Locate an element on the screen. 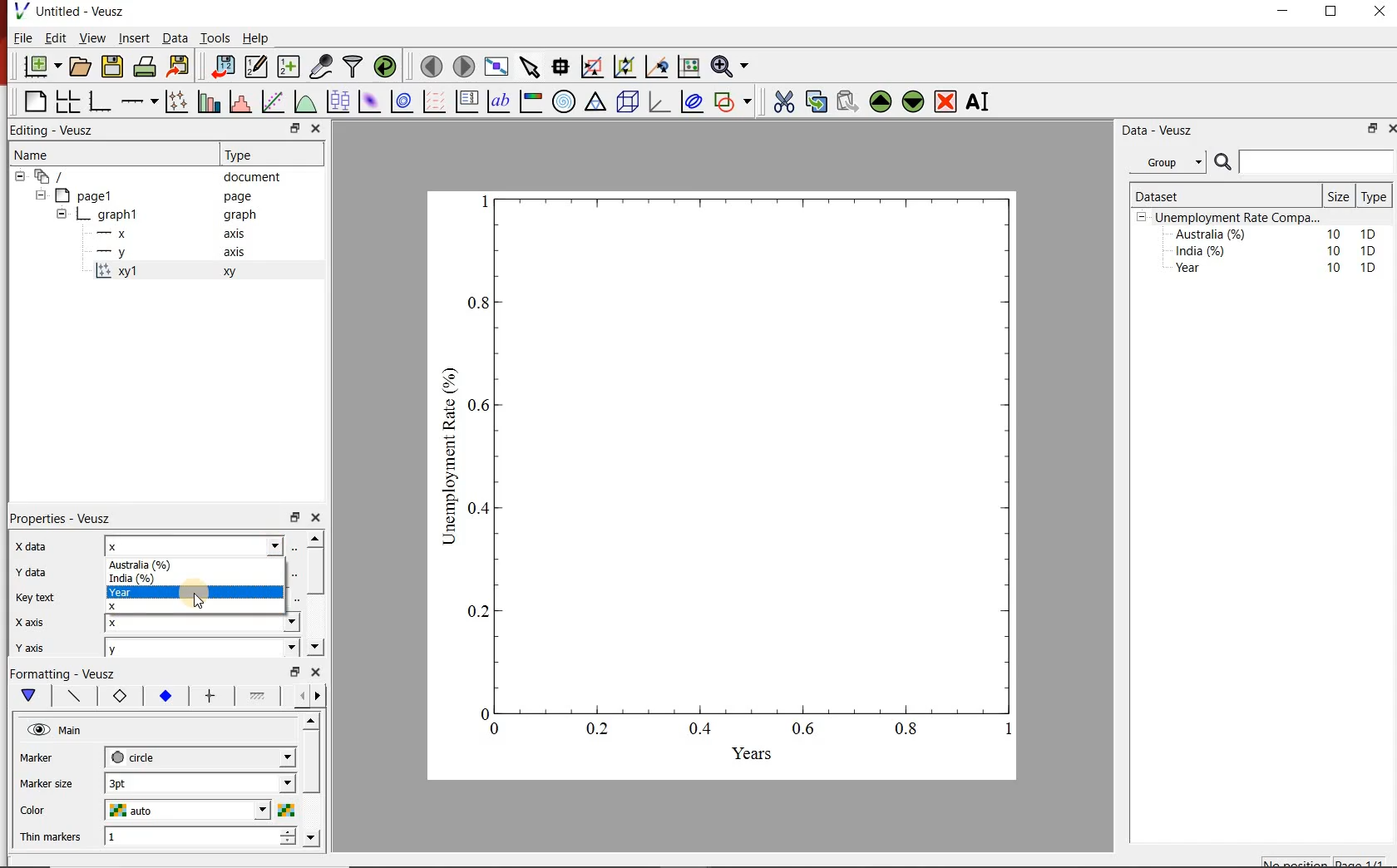  Group is located at coordinates (1170, 162).